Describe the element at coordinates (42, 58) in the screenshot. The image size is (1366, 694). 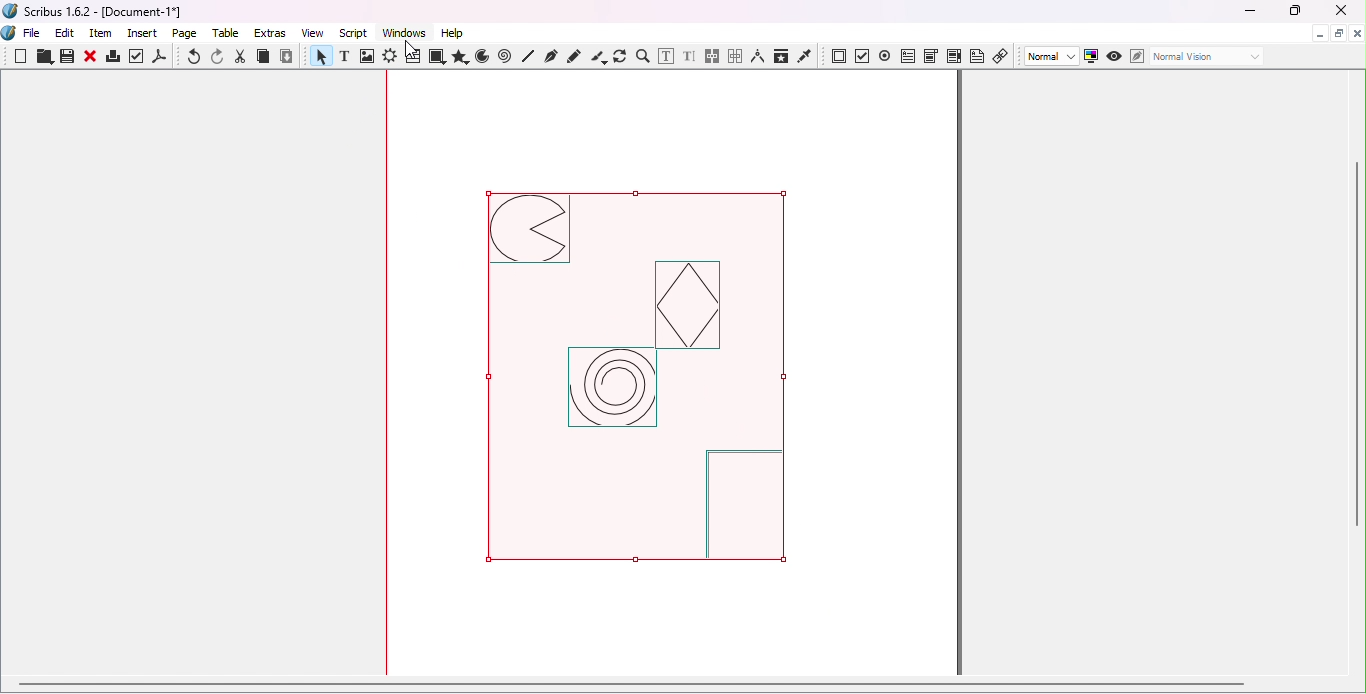
I see `Open` at that location.